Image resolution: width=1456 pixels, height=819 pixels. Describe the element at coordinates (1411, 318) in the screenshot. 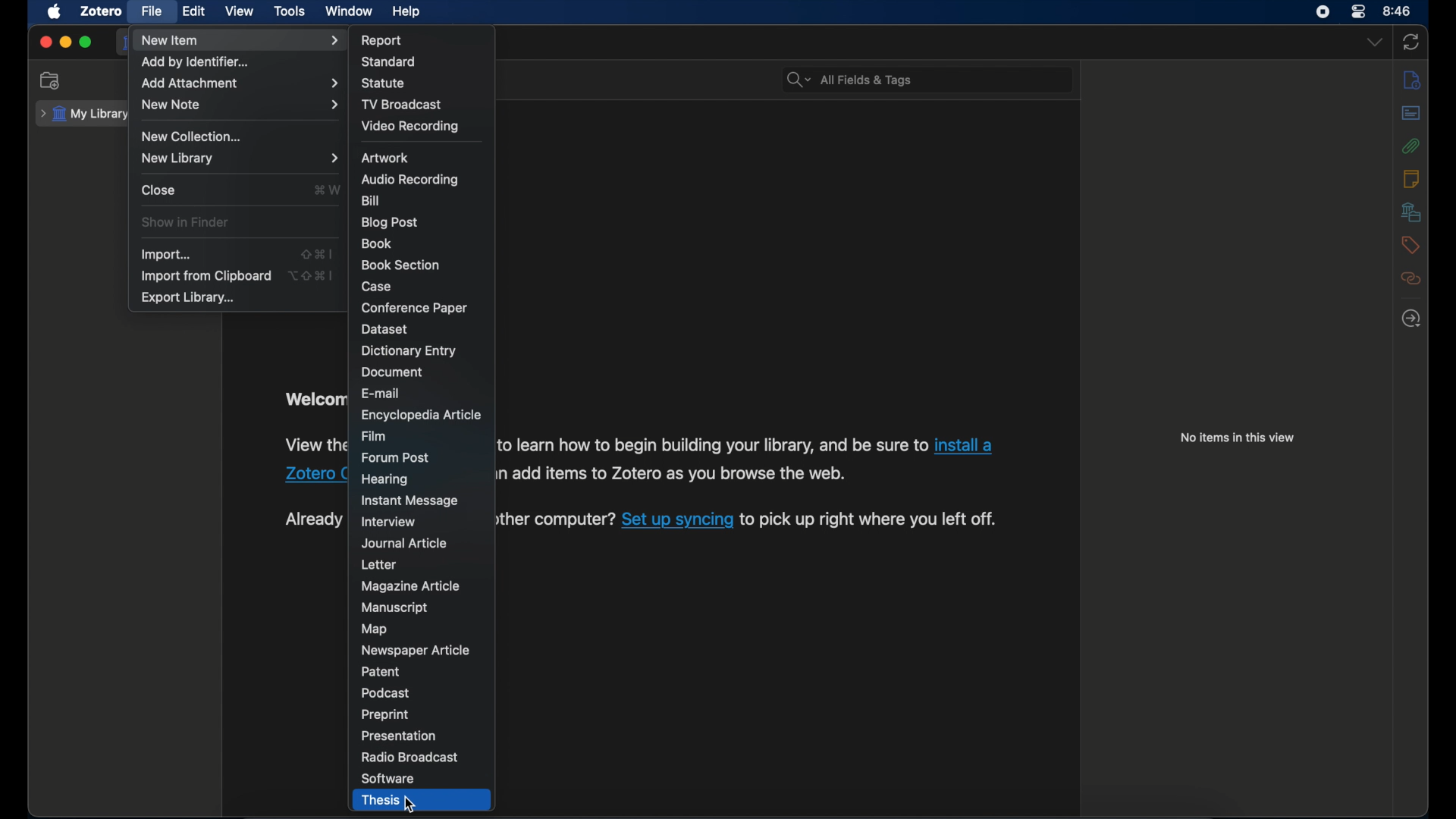

I see `locate` at that location.